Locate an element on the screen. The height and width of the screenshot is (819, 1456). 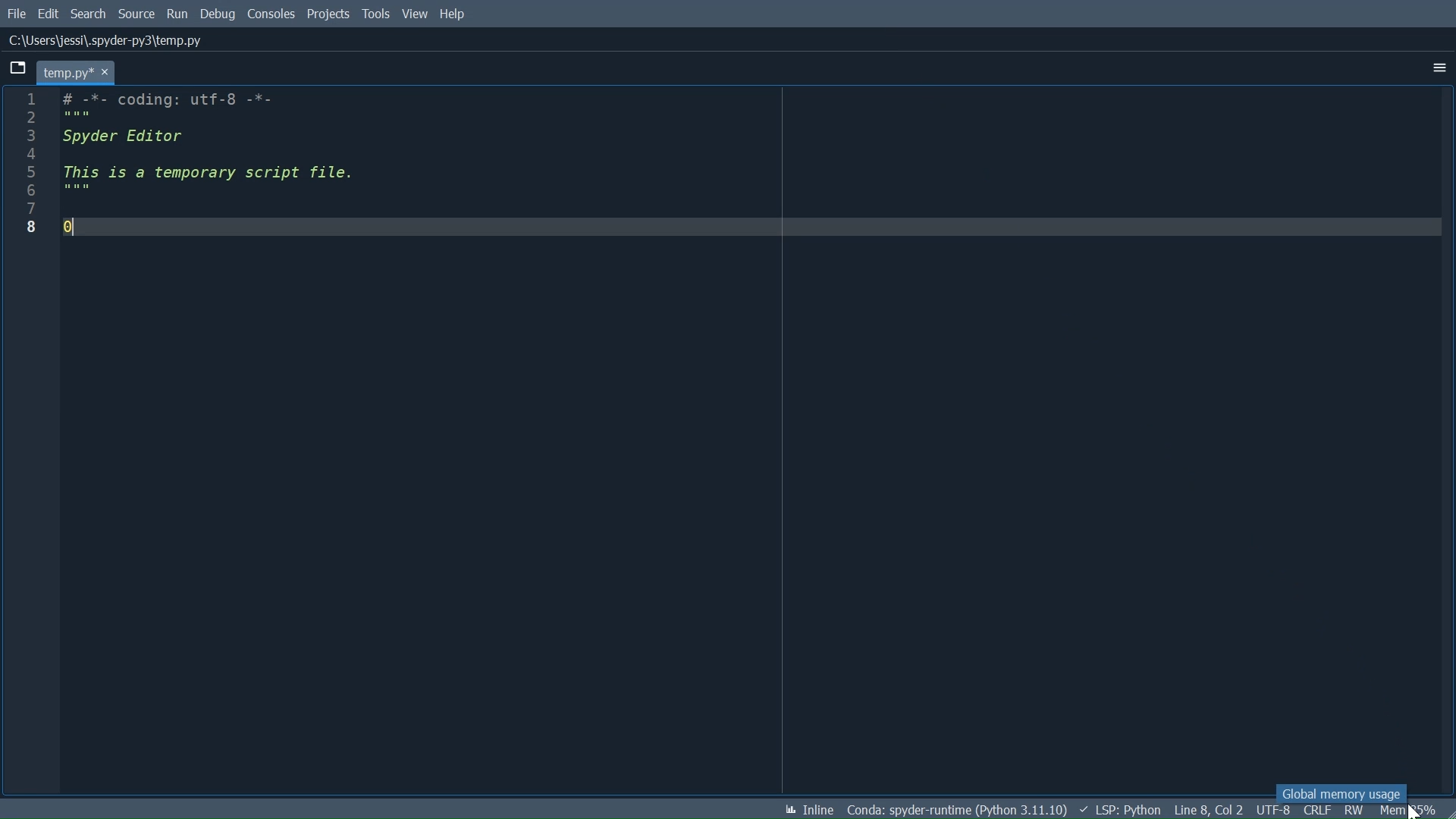
Browse Tabs is located at coordinates (16, 67).